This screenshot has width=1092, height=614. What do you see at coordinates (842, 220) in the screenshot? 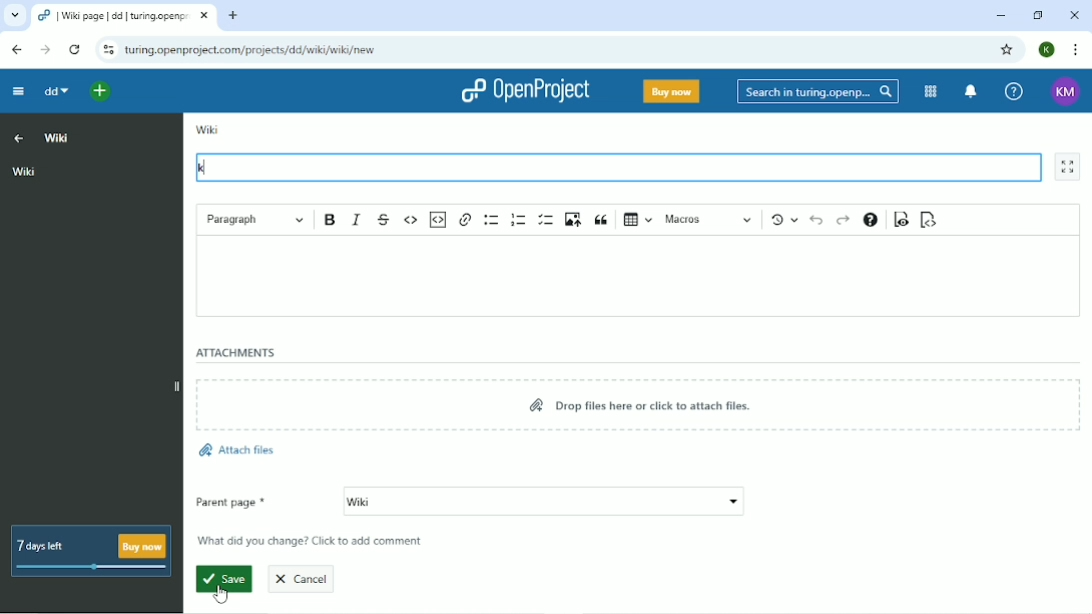
I see `Redo` at bounding box center [842, 220].